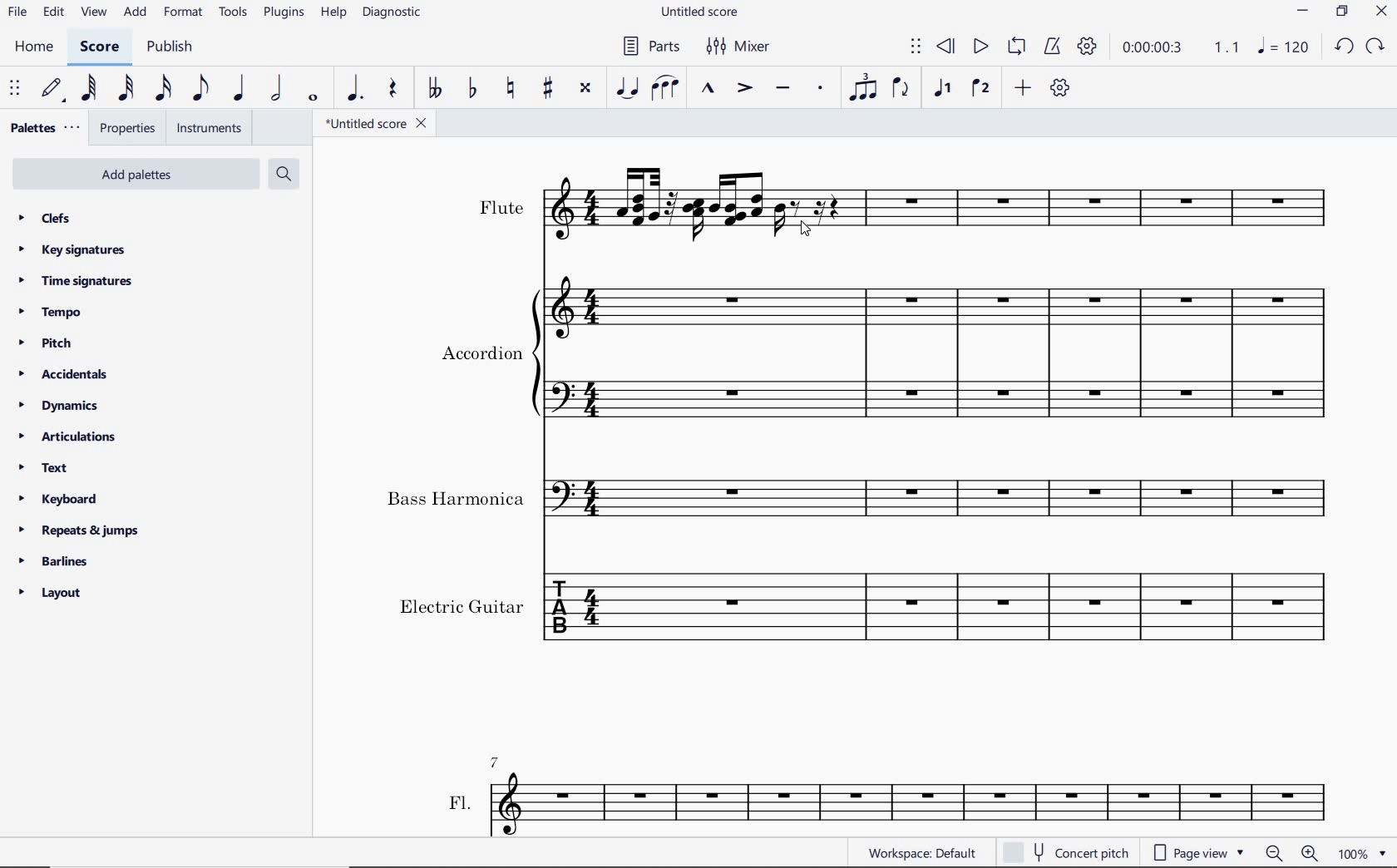 The width and height of the screenshot is (1397, 868). Describe the element at coordinates (43, 128) in the screenshot. I see `palettes` at that location.